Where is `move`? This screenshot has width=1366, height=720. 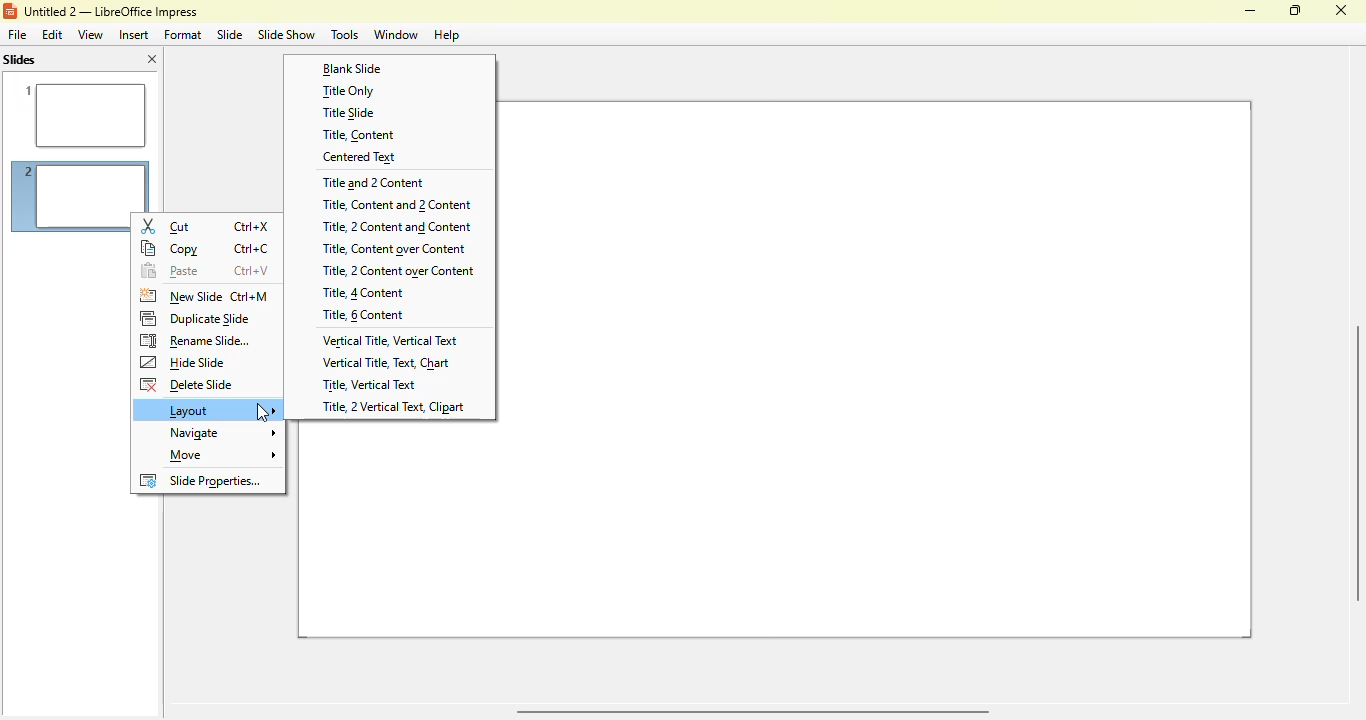 move is located at coordinates (221, 455).